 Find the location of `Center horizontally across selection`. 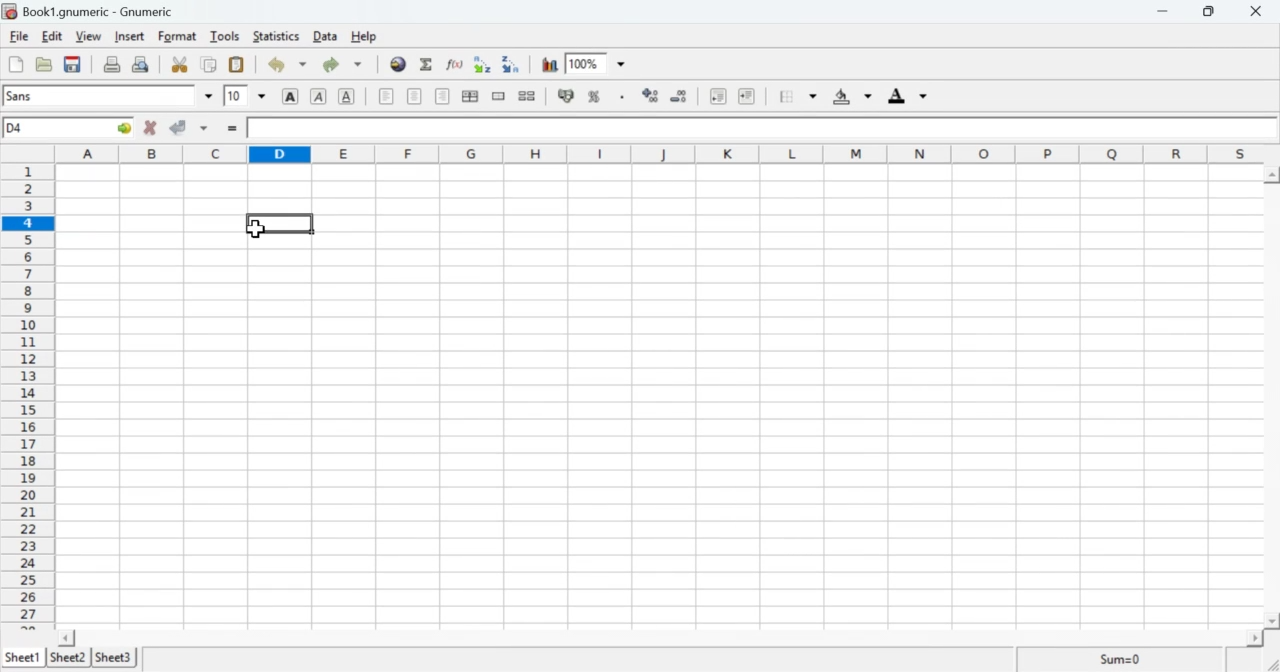

Center horizontally across selection is located at coordinates (471, 96).